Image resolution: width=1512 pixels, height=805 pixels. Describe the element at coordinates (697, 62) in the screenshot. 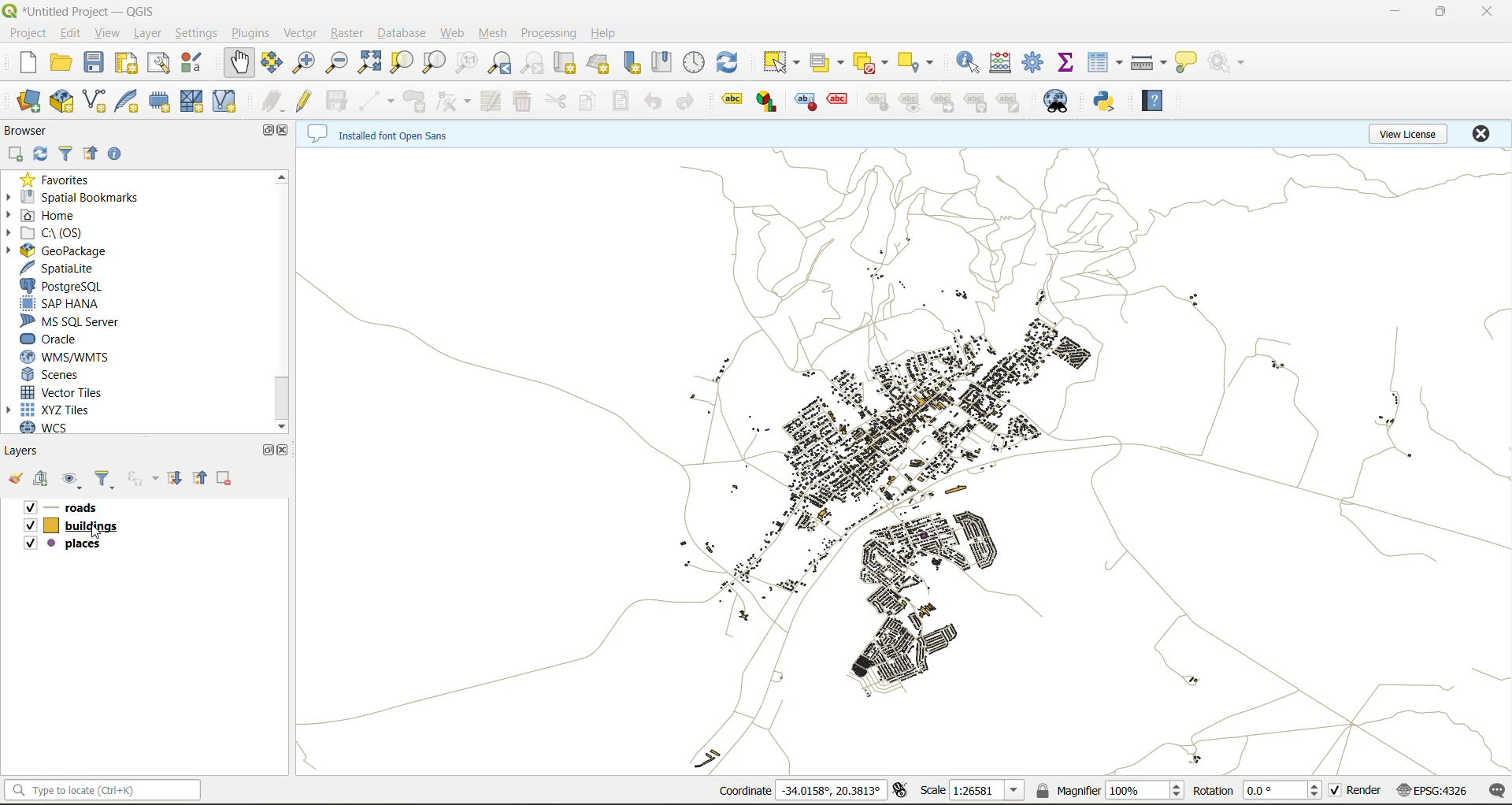

I see `control panel` at that location.